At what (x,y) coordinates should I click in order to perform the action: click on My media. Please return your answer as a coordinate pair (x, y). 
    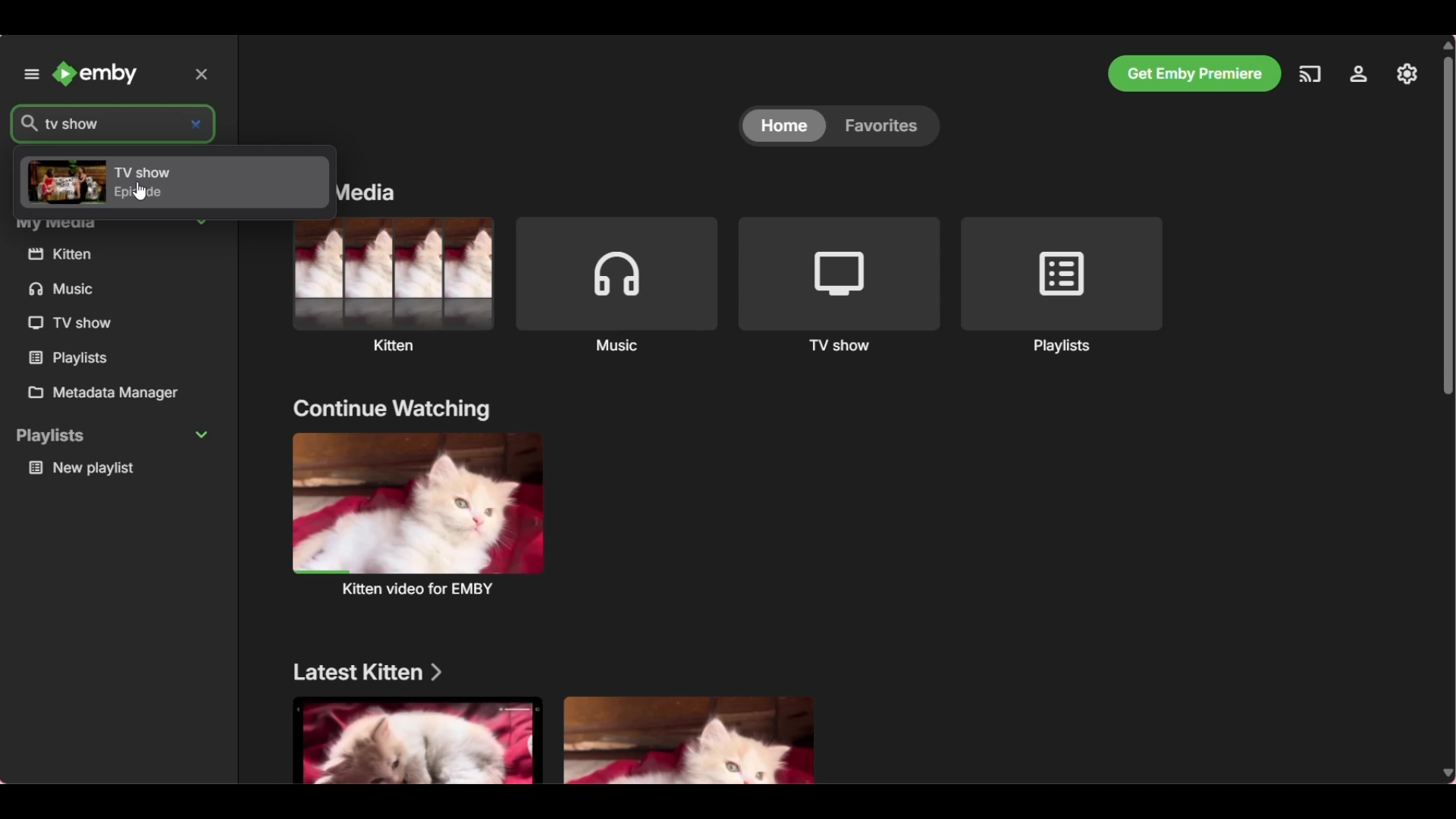
    Looking at the image, I should click on (366, 192).